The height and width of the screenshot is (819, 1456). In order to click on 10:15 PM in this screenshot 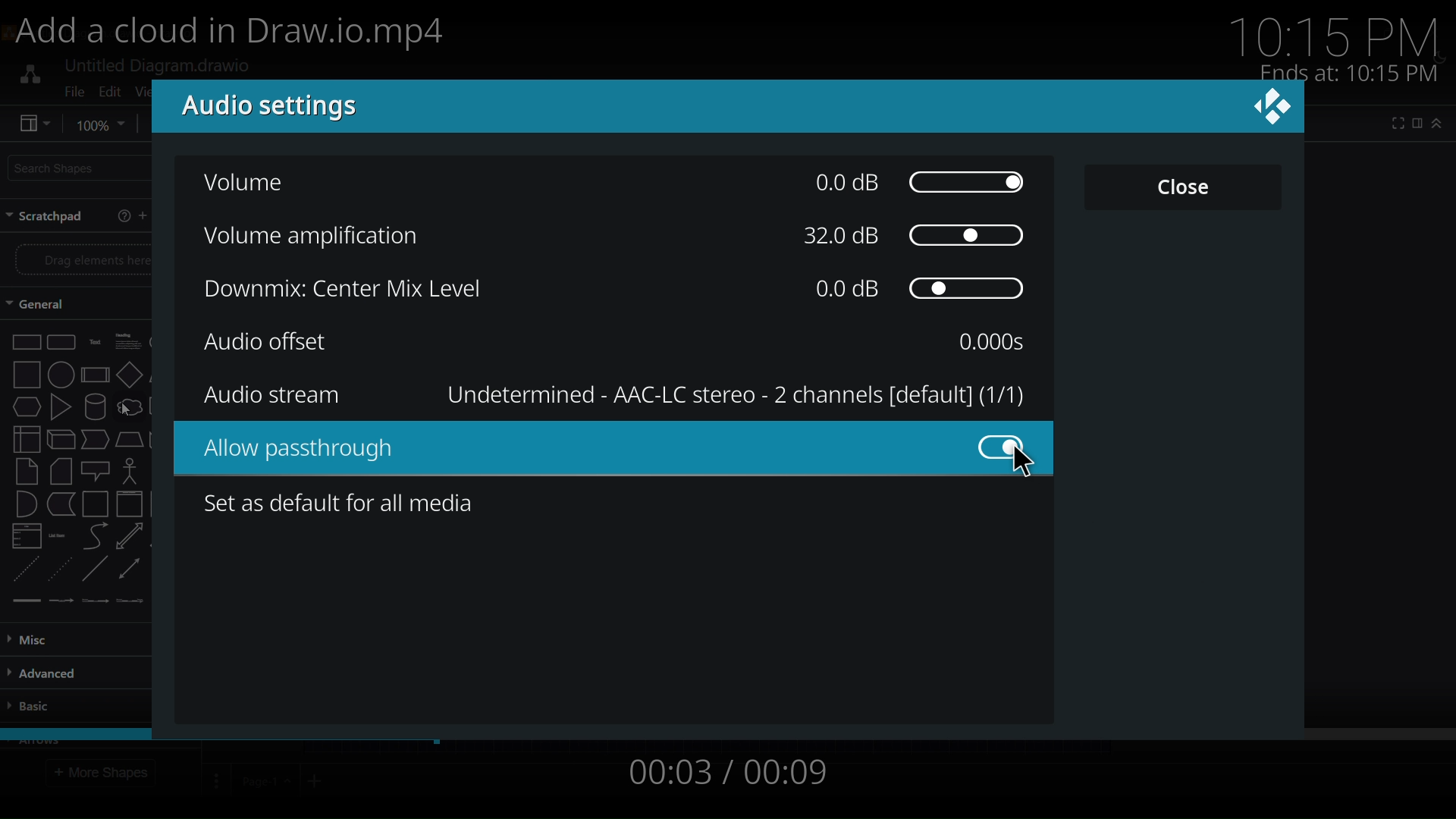, I will do `click(1339, 36)`.